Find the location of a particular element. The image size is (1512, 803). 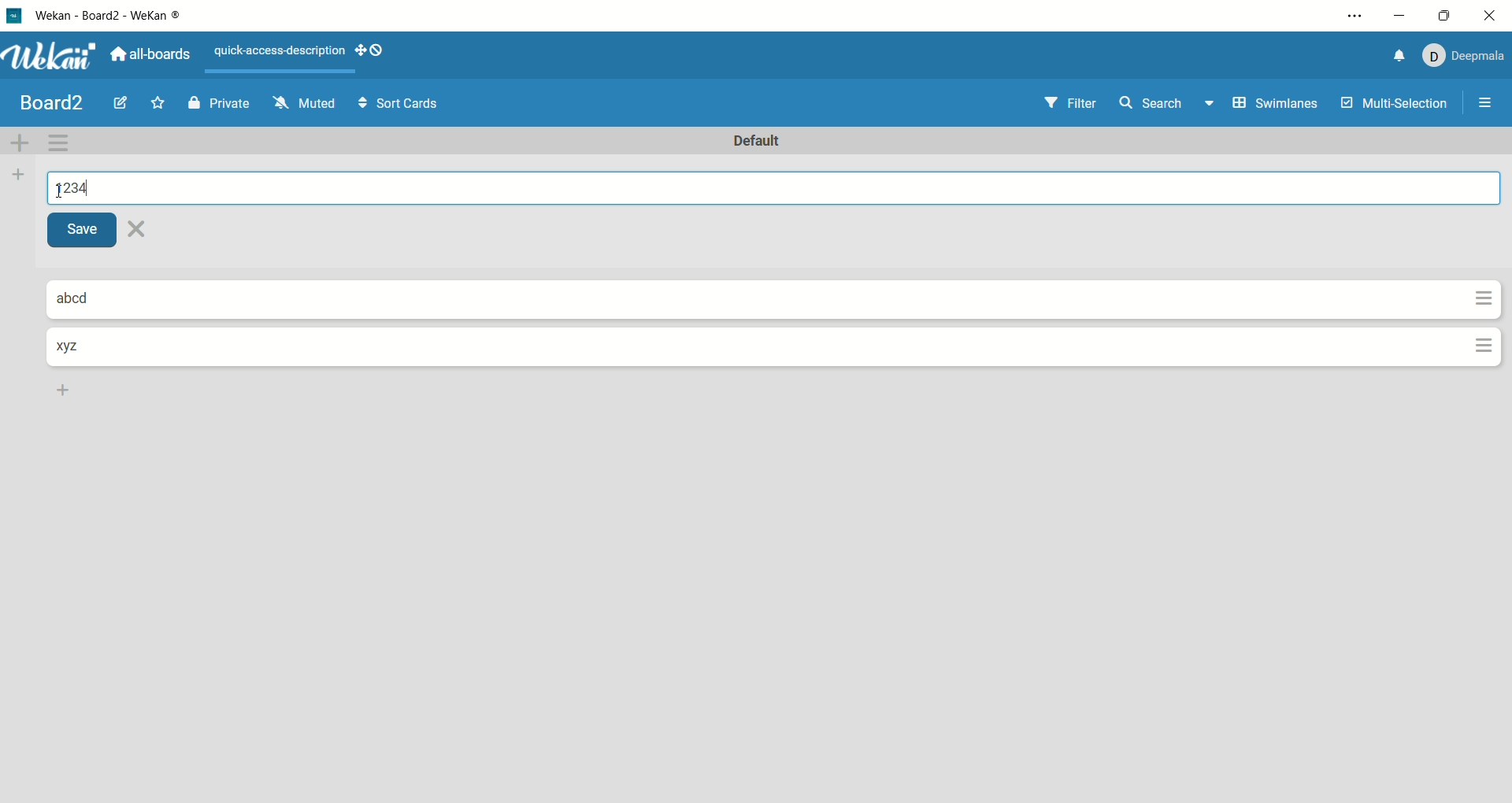

default is located at coordinates (763, 142).